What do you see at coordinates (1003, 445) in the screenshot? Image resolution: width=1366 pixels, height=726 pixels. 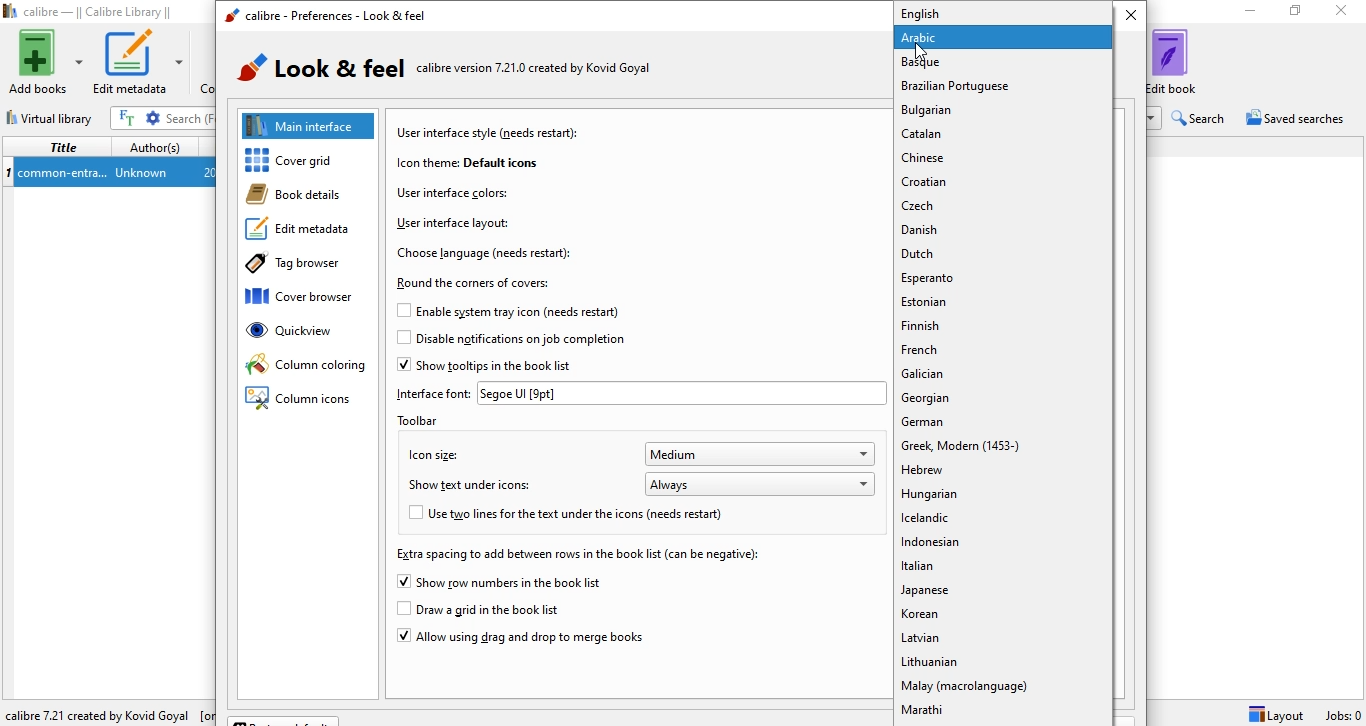 I see `greek, modern (1453-)` at bounding box center [1003, 445].